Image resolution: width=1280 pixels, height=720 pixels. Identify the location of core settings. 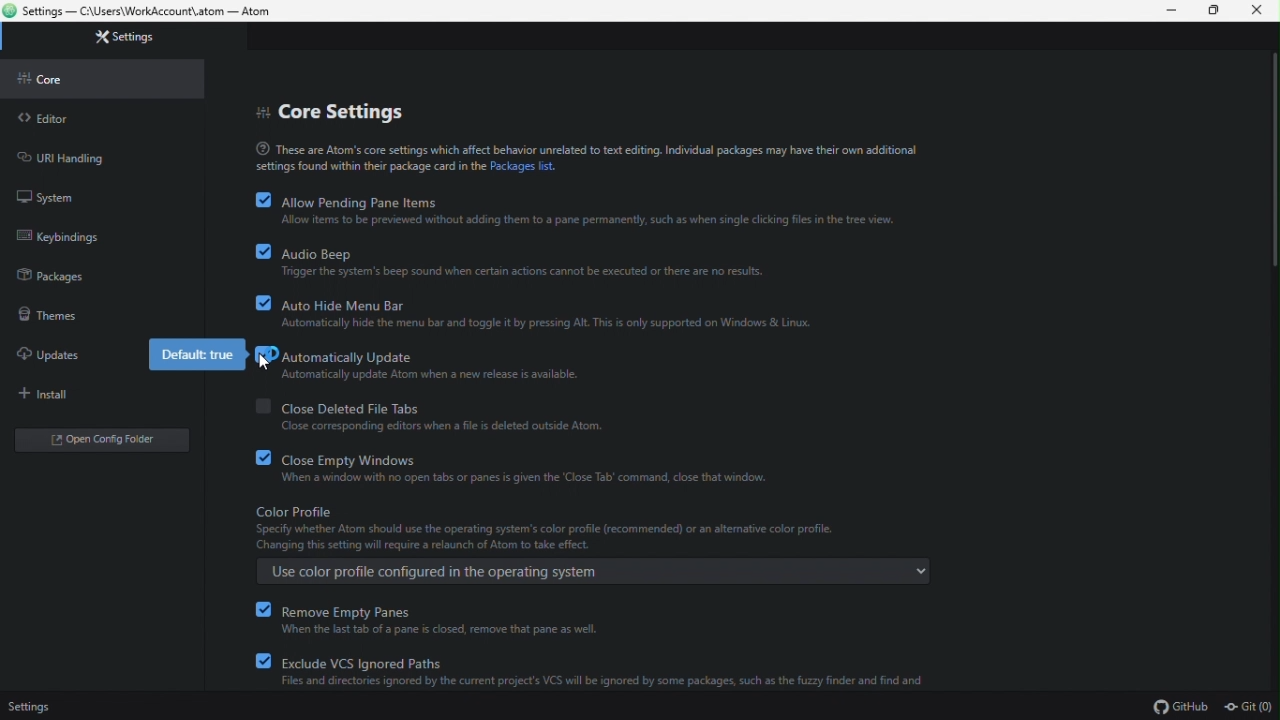
(332, 110).